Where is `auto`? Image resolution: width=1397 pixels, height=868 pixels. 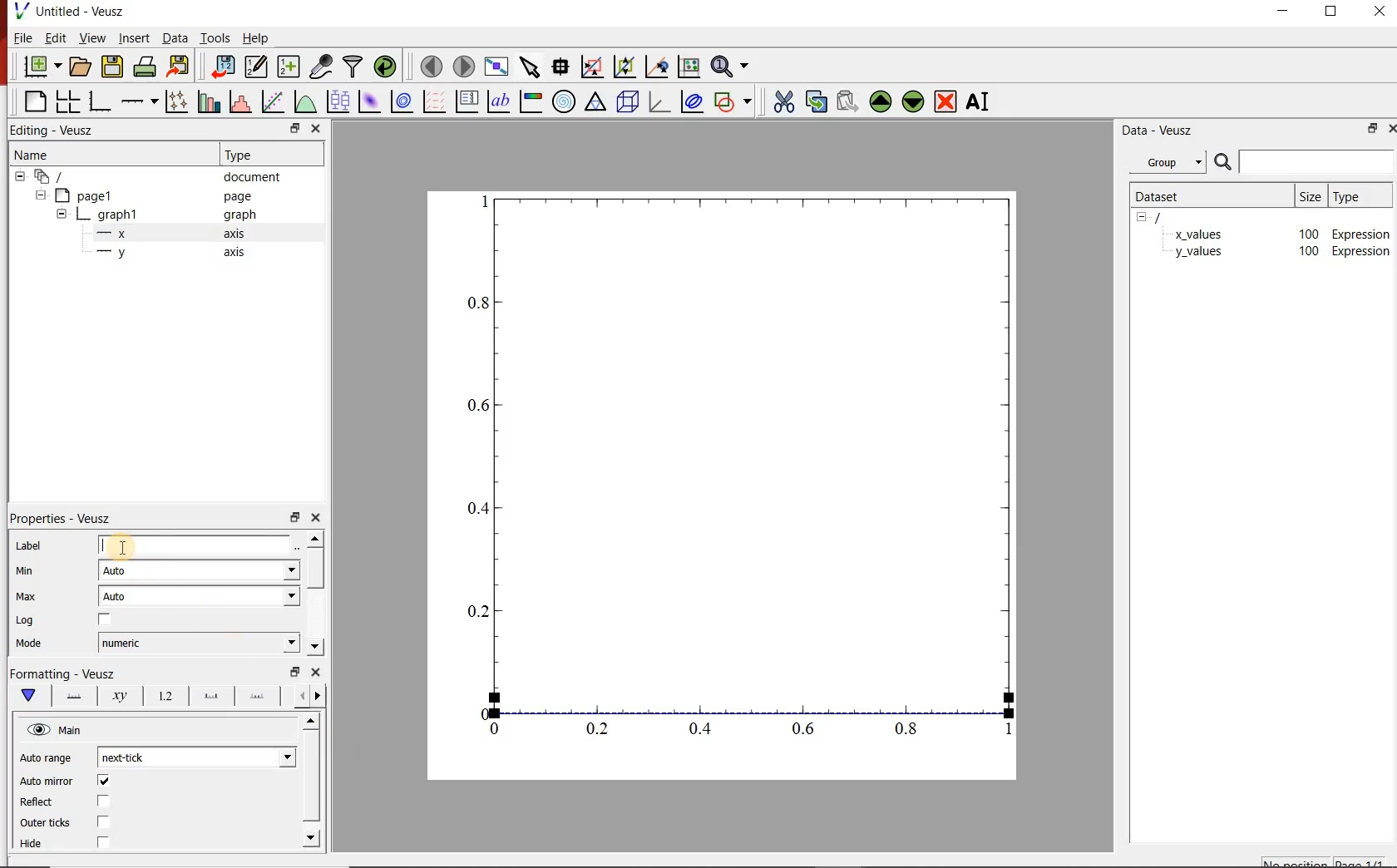 auto is located at coordinates (200, 595).